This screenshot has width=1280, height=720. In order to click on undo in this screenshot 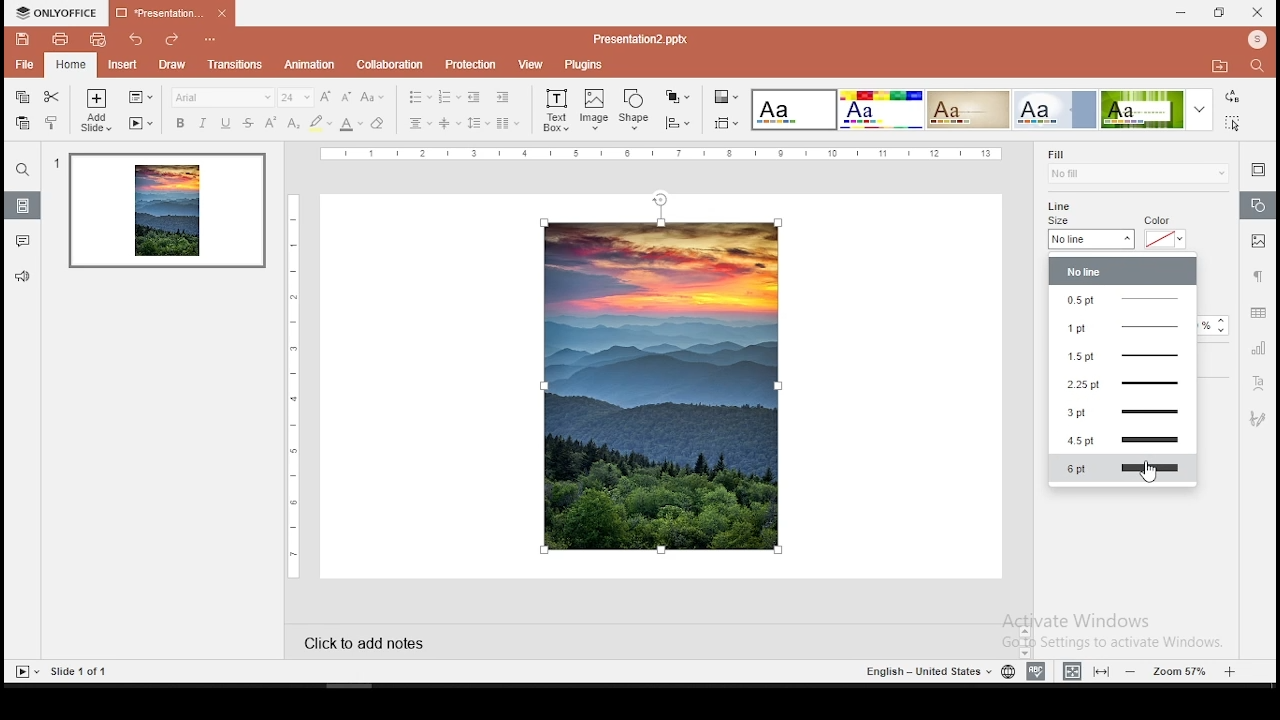, I will do `click(135, 42)`.